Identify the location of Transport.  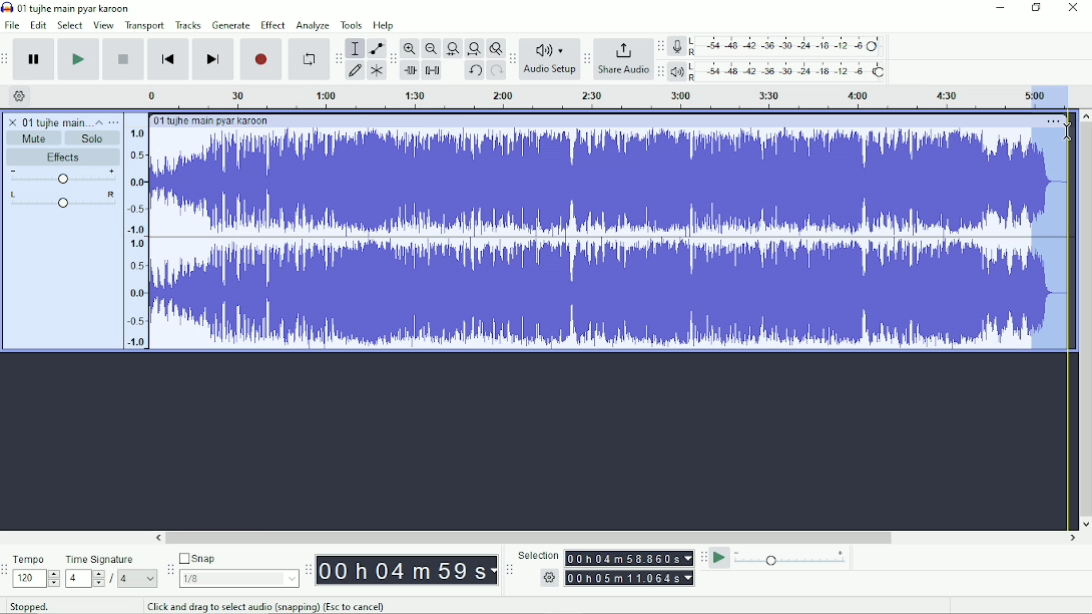
(144, 27).